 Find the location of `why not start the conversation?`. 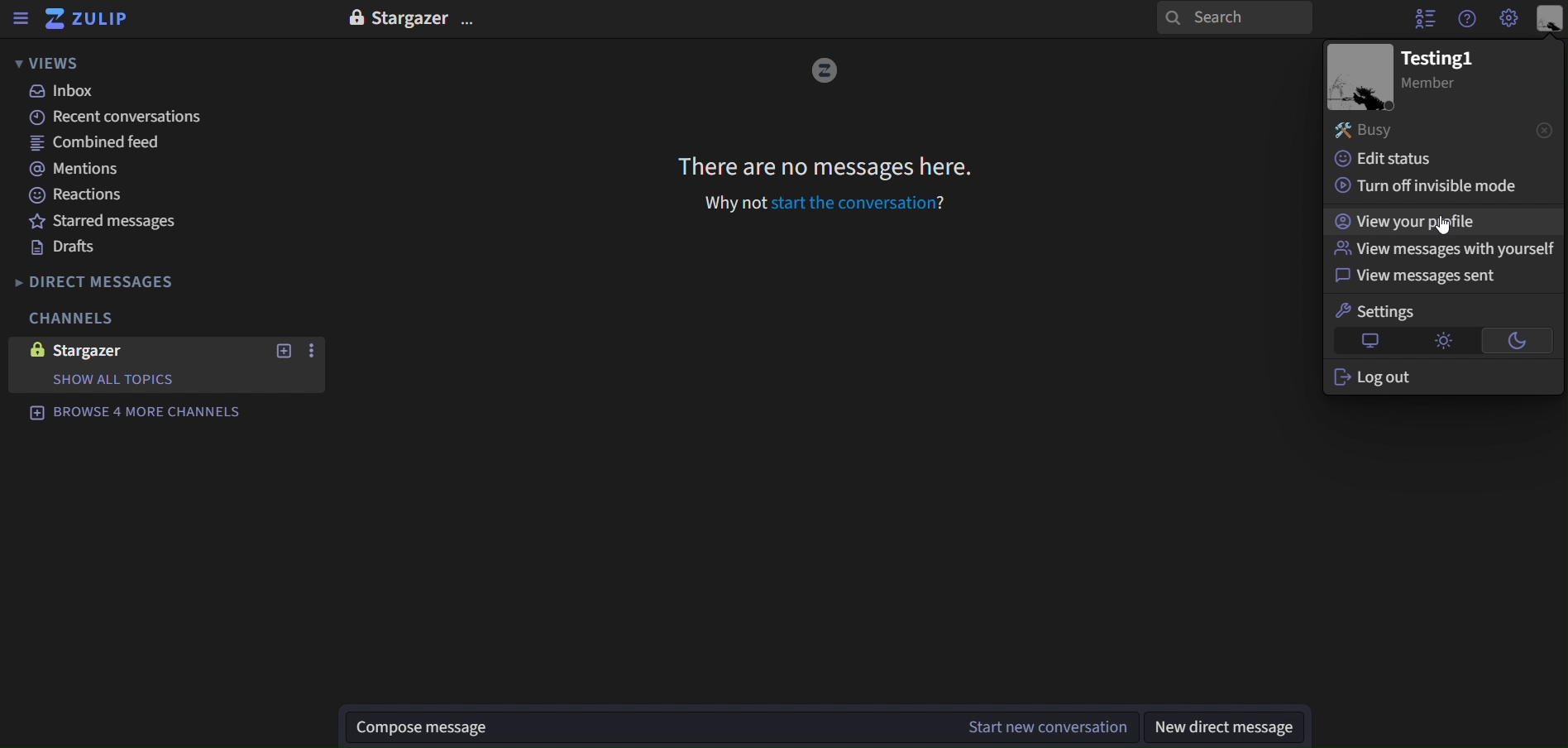

why not start the conversation? is located at coordinates (835, 204).